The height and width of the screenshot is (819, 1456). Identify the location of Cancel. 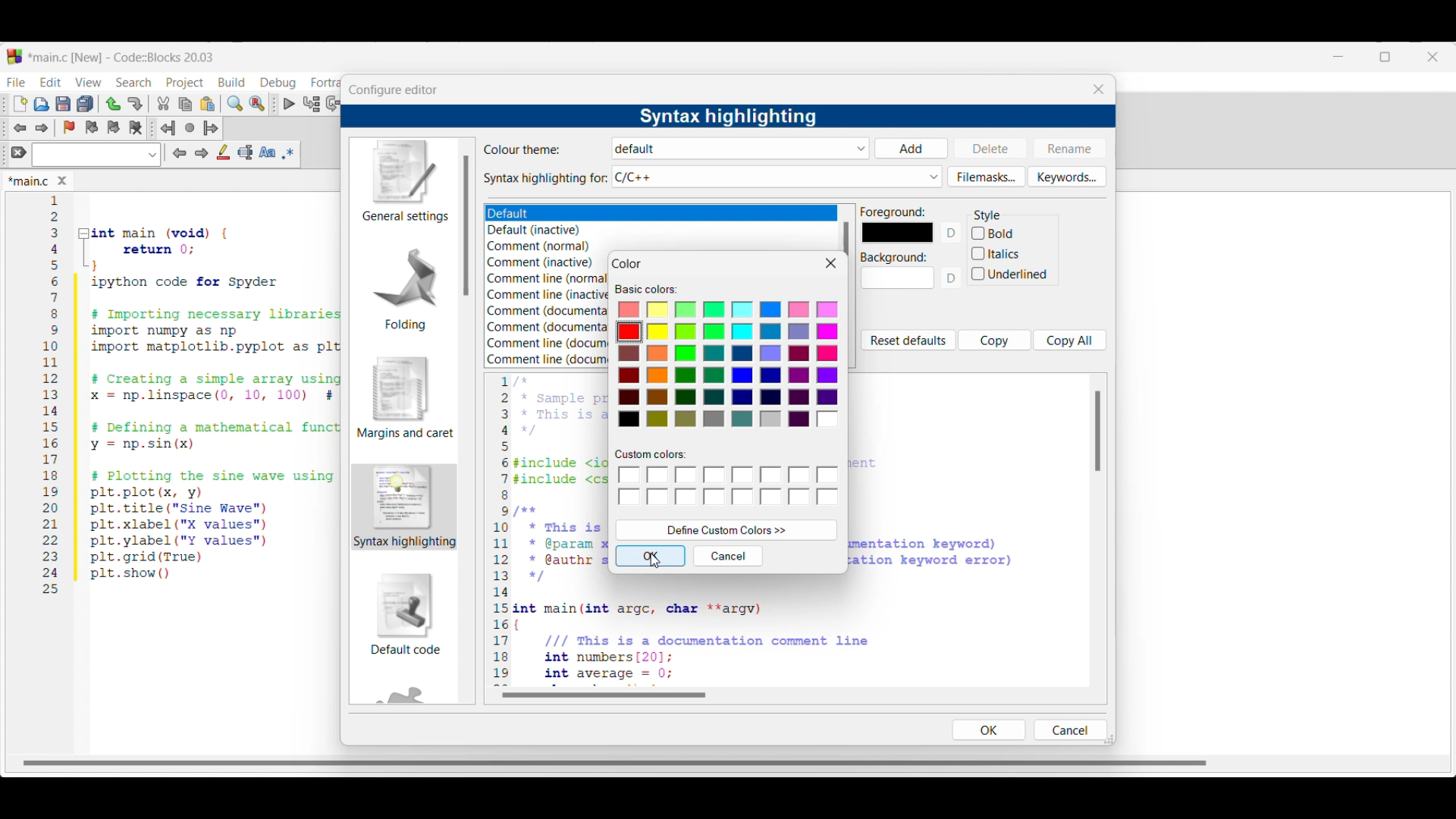
(1068, 730).